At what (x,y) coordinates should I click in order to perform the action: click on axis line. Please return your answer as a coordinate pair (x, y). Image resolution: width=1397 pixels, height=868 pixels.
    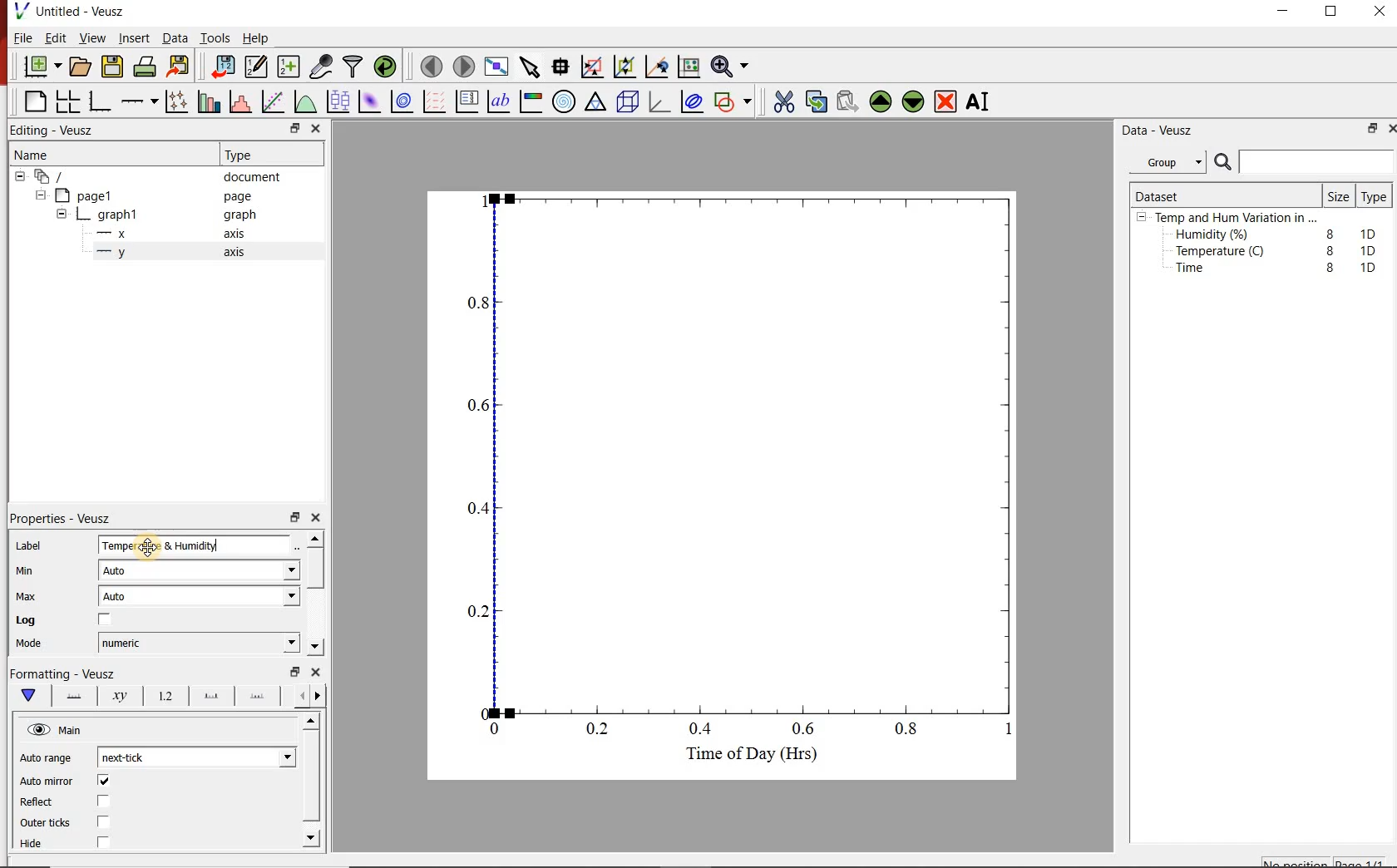
    Looking at the image, I should click on (75, 697).